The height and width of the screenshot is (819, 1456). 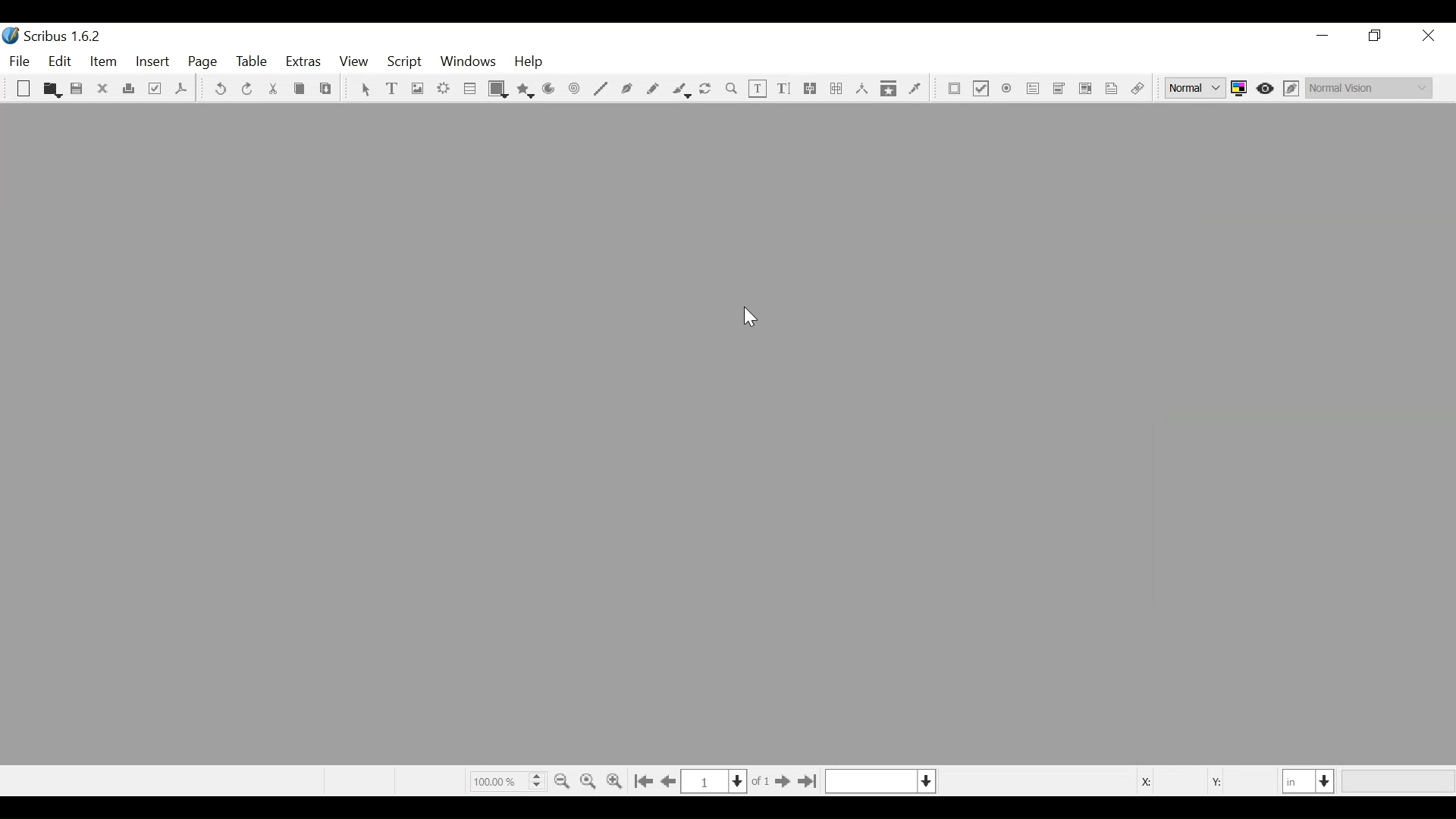 I want to click on Text Frame, so click(x=394, y=89).